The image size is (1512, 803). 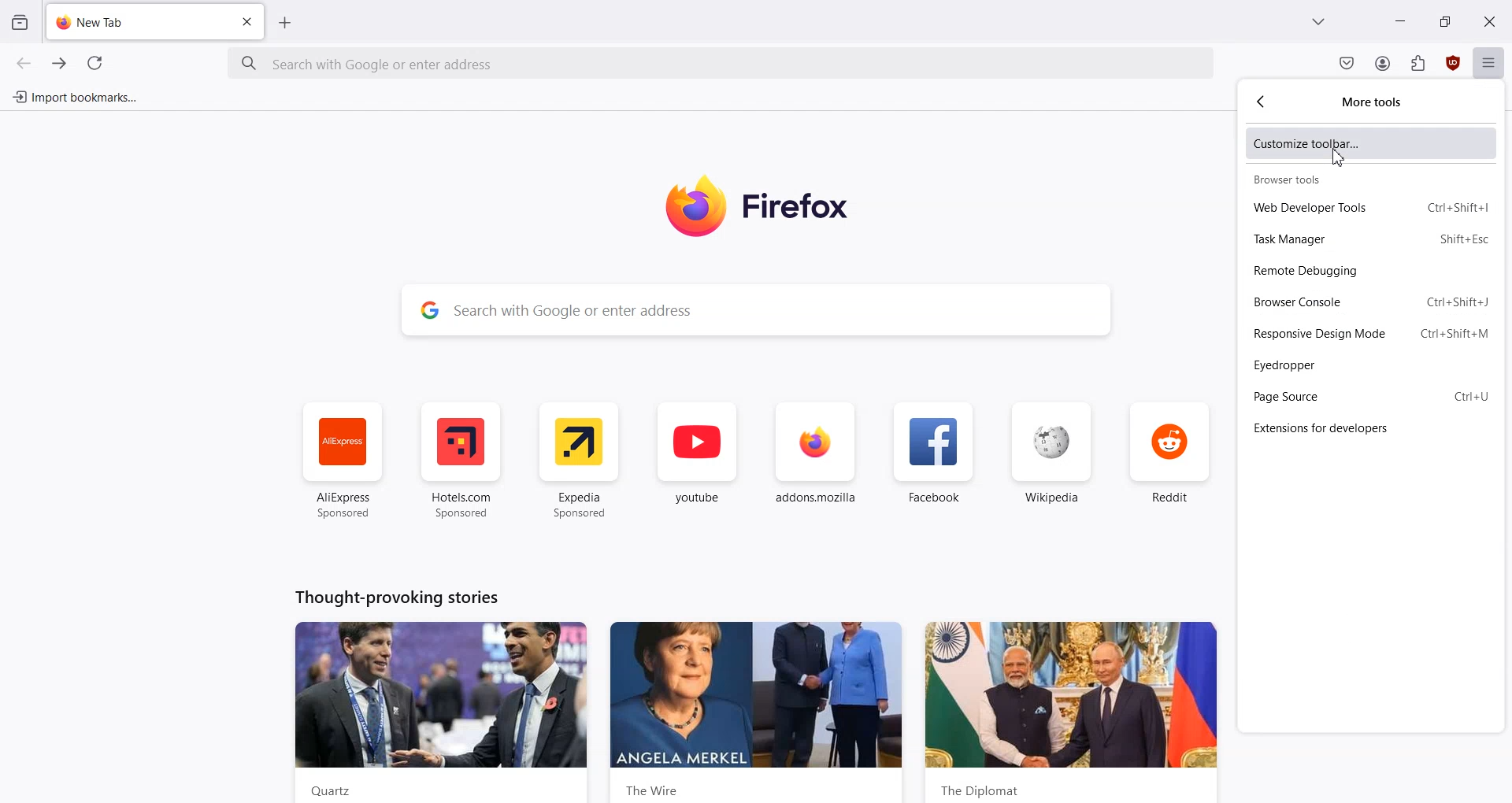 I want to click on Shortcut key, so click(x=1463, y=238).